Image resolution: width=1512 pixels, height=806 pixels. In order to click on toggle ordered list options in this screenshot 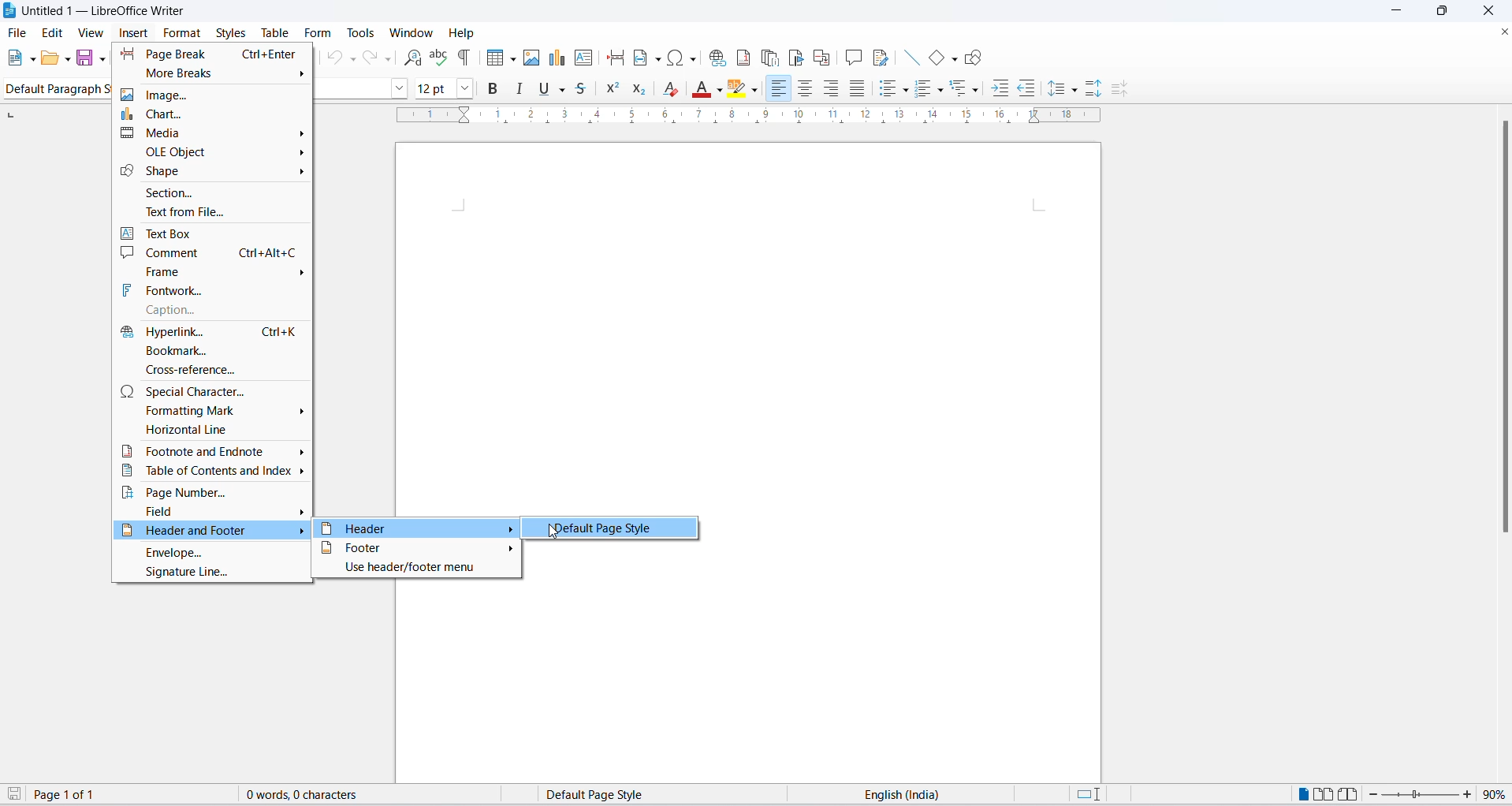, I will do `click(943, 92)`.